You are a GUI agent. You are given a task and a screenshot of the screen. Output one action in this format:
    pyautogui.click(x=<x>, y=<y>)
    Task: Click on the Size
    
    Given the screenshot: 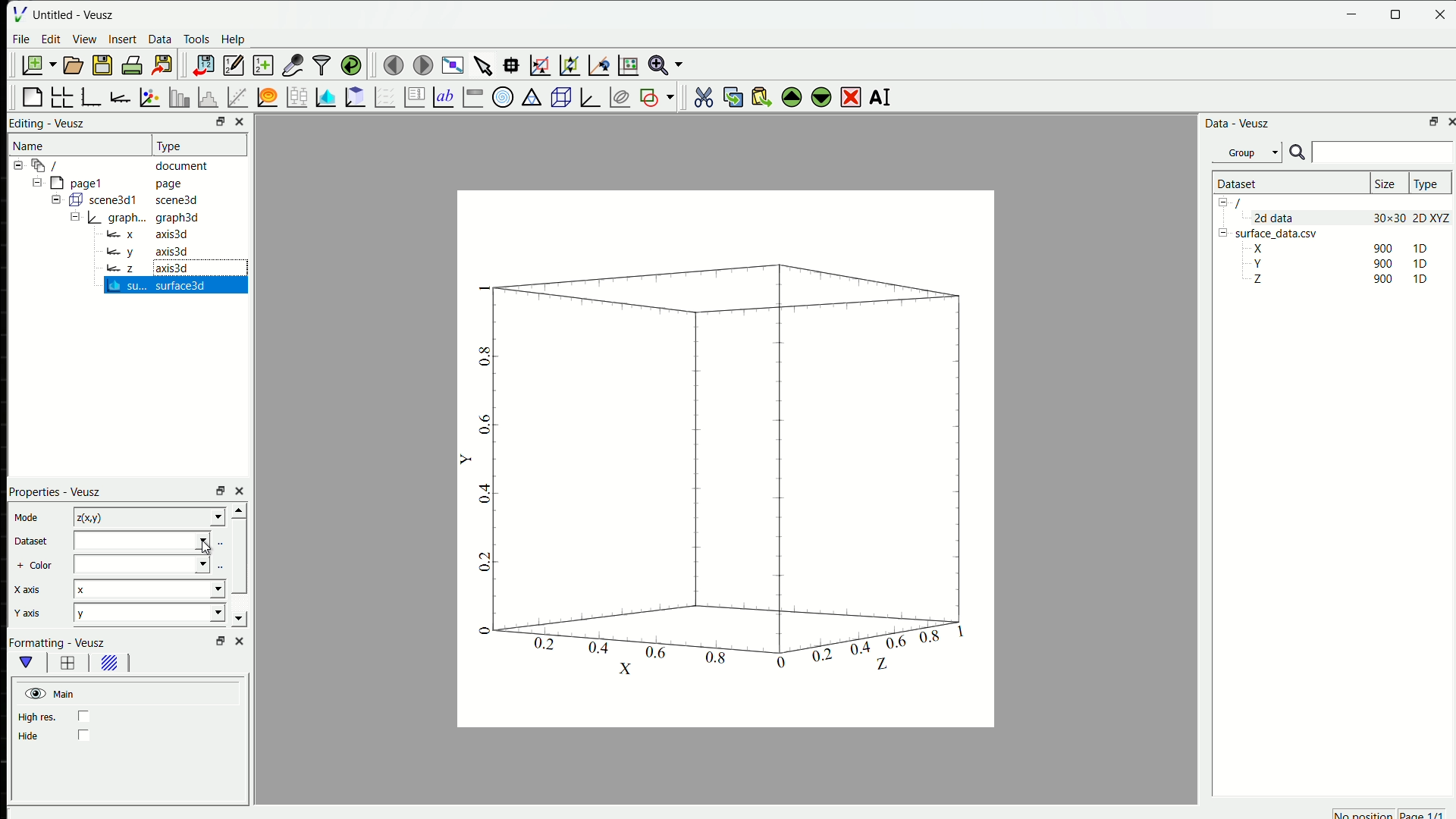 What is the action you would take?
    pyautogui.click(x=1387, y=184)
    